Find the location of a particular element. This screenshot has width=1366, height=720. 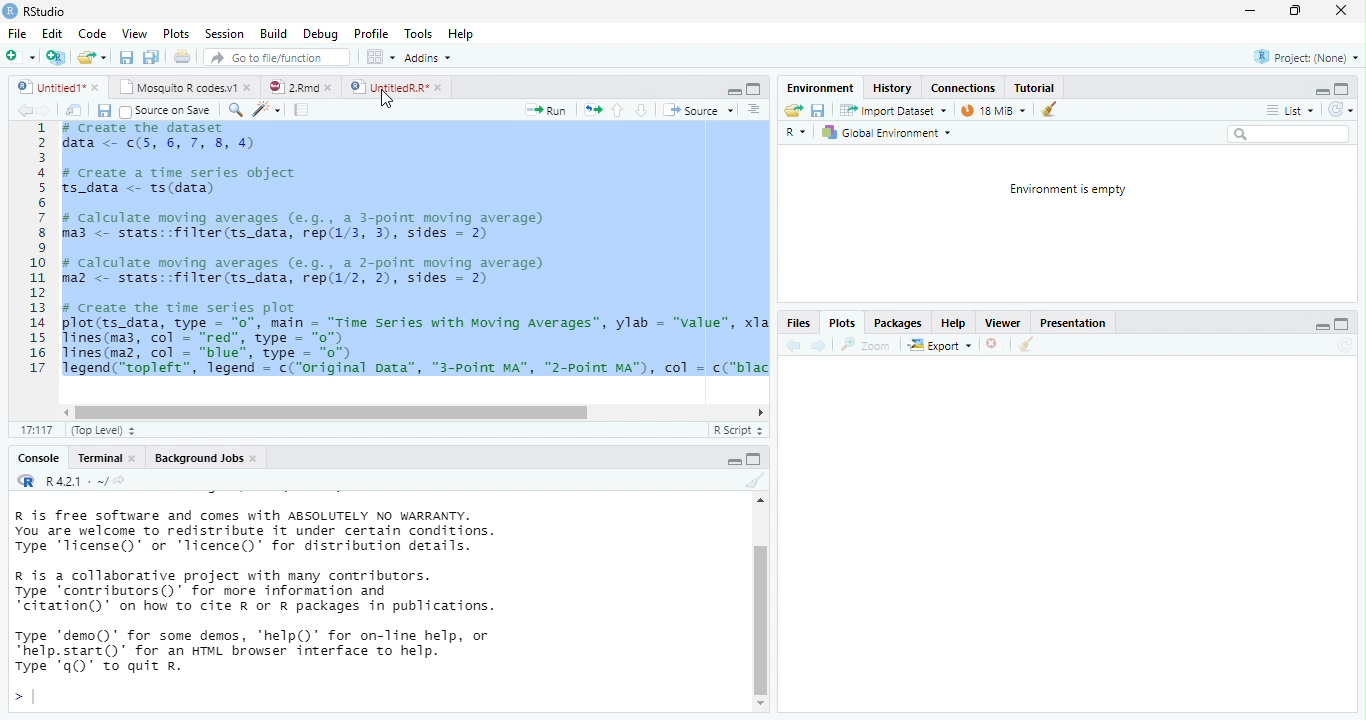

R is located at coordinates (24, 480).